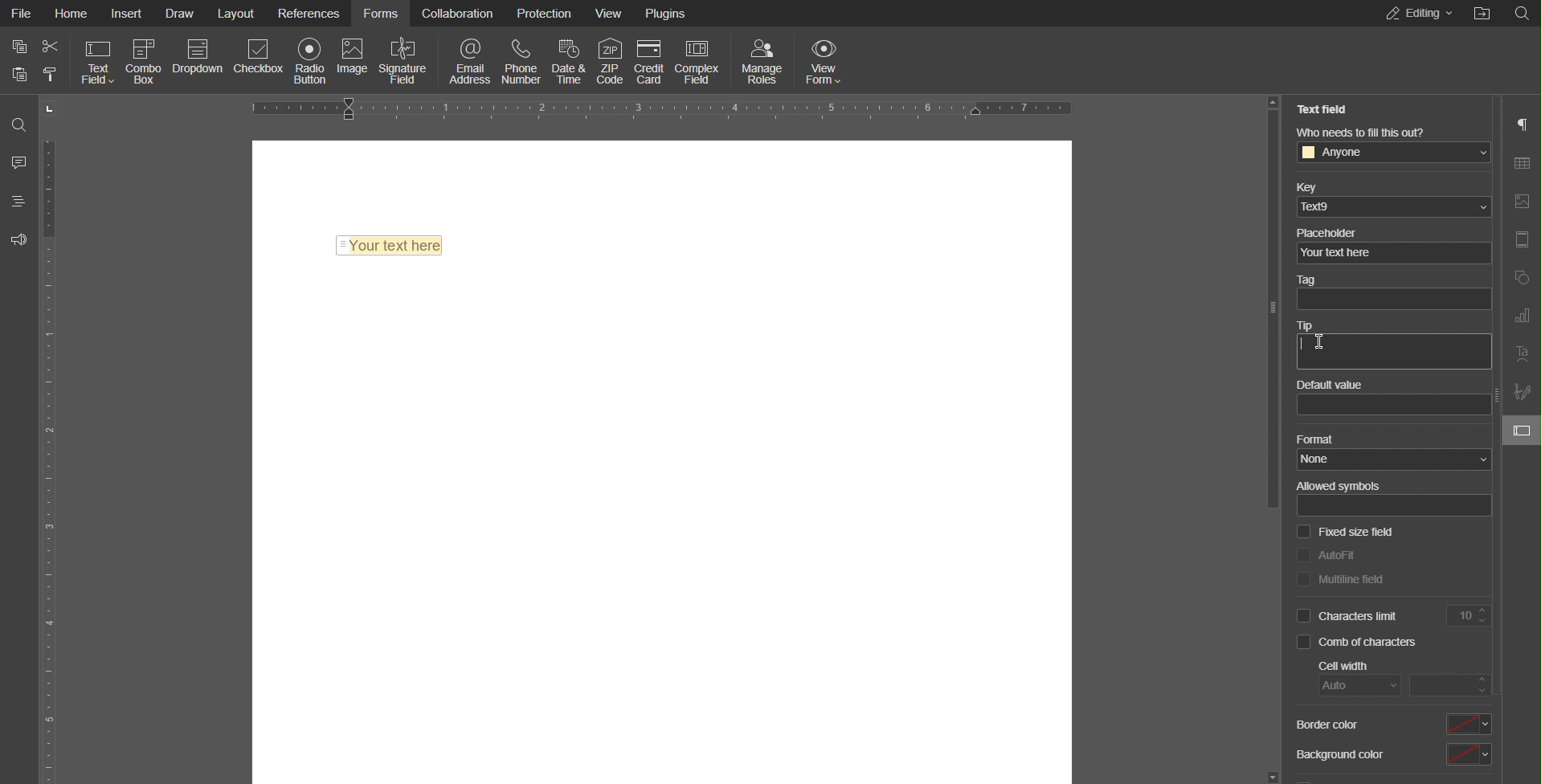 This screenshot has height=784, width=1541. What do you see at coordinates (668, 11) in the screenshot?
I see `Plugins` at bounding box center [668, 11].